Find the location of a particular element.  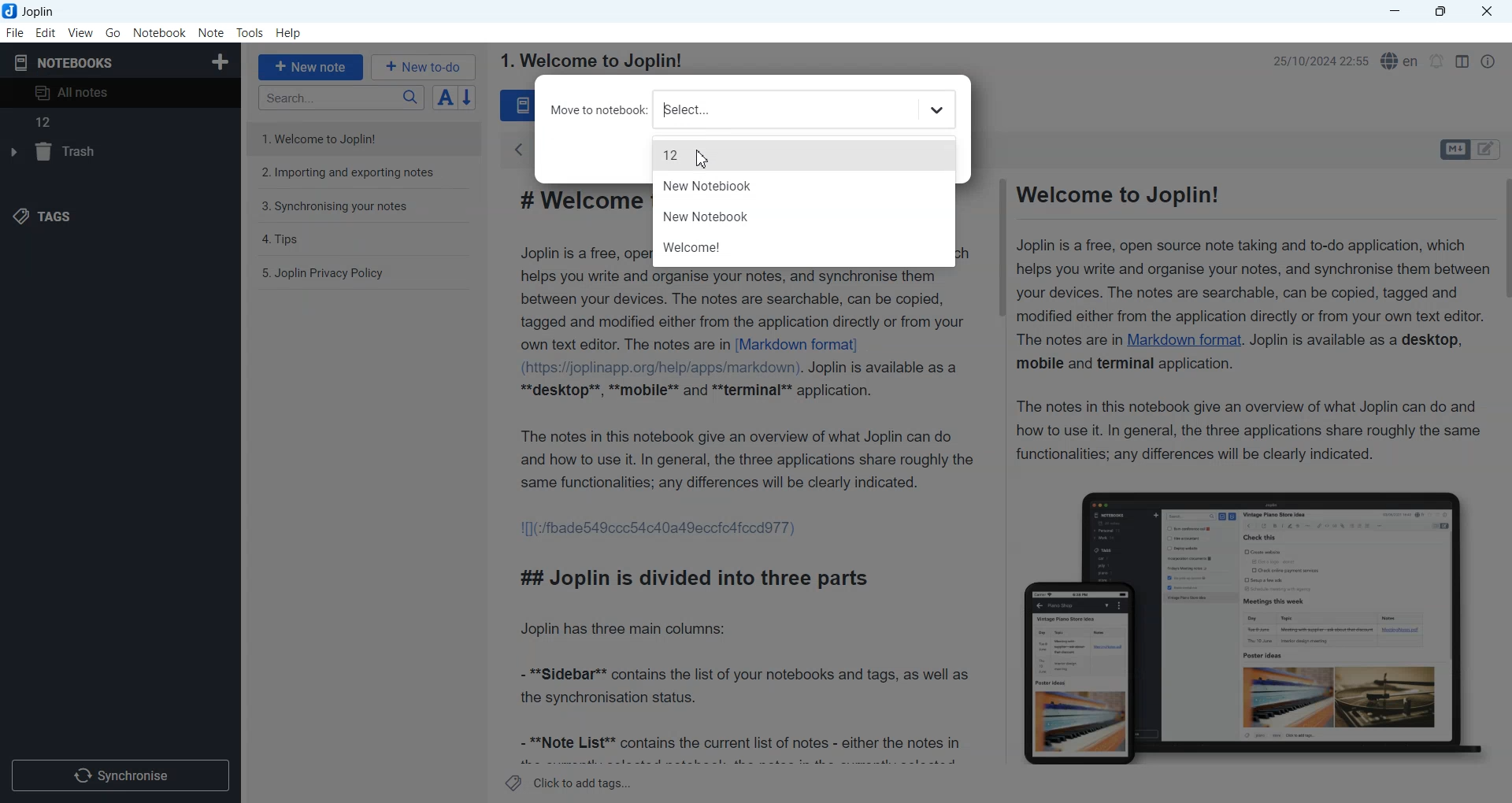

Cursor is located at coordinates (702, 158).